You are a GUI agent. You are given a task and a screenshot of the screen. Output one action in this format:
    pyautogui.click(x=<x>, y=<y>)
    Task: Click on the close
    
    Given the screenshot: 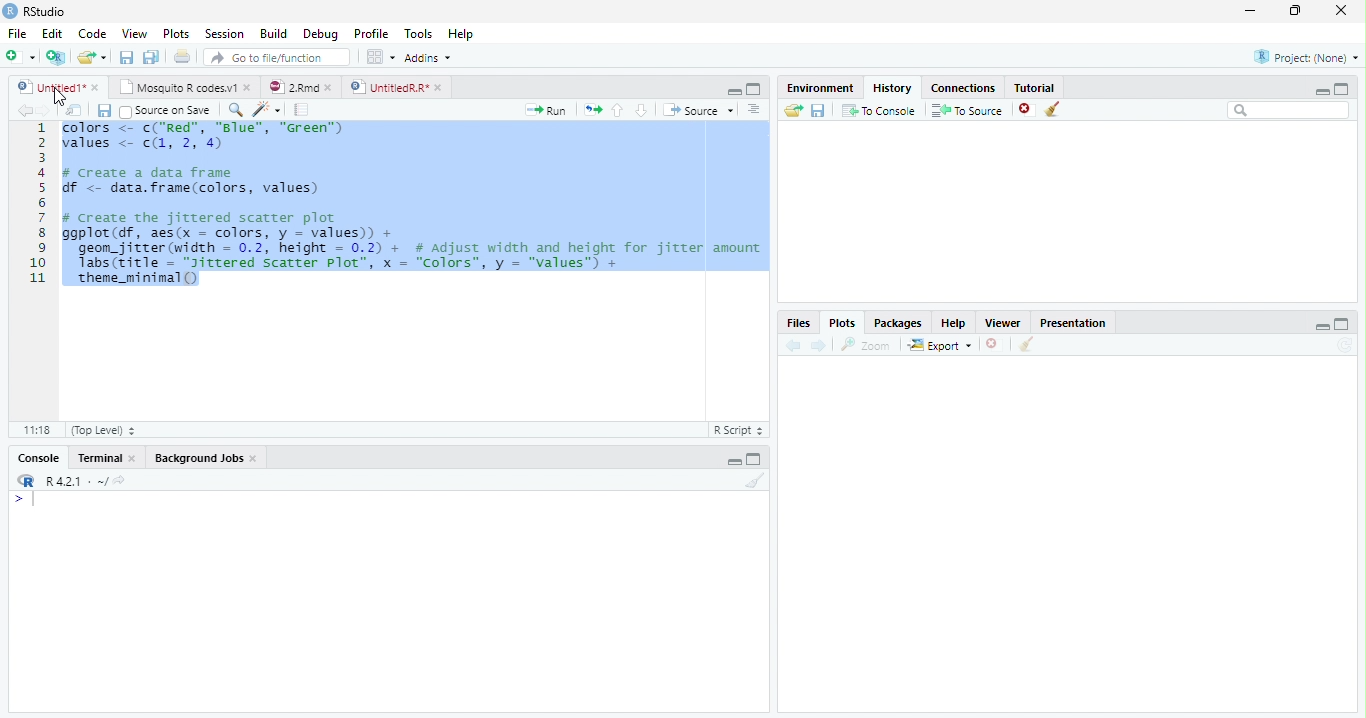 What is the action you would take?
    pyautogui.click(x=247, y=87)
    